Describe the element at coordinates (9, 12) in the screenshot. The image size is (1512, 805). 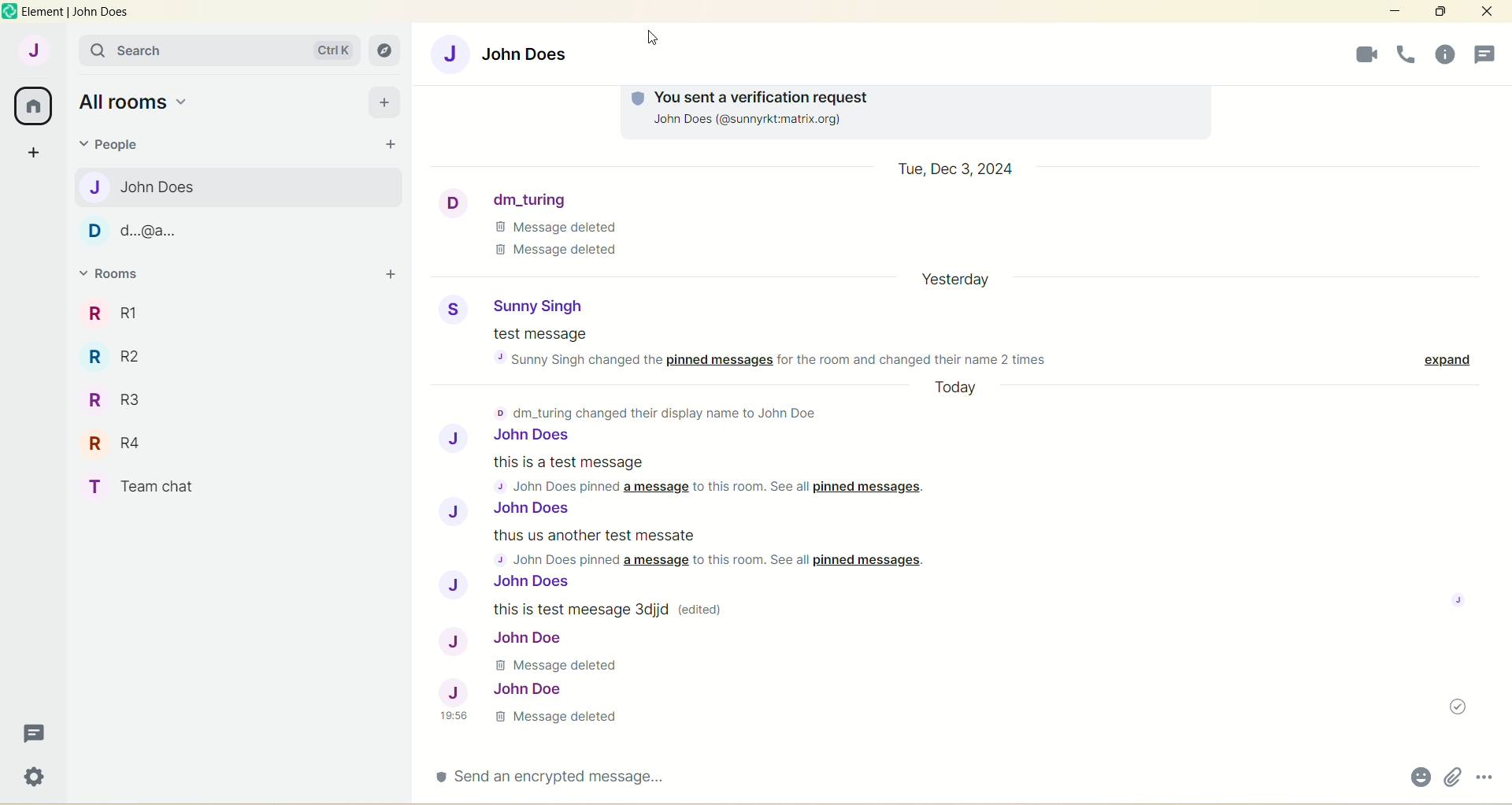
I see `logo` at that location.